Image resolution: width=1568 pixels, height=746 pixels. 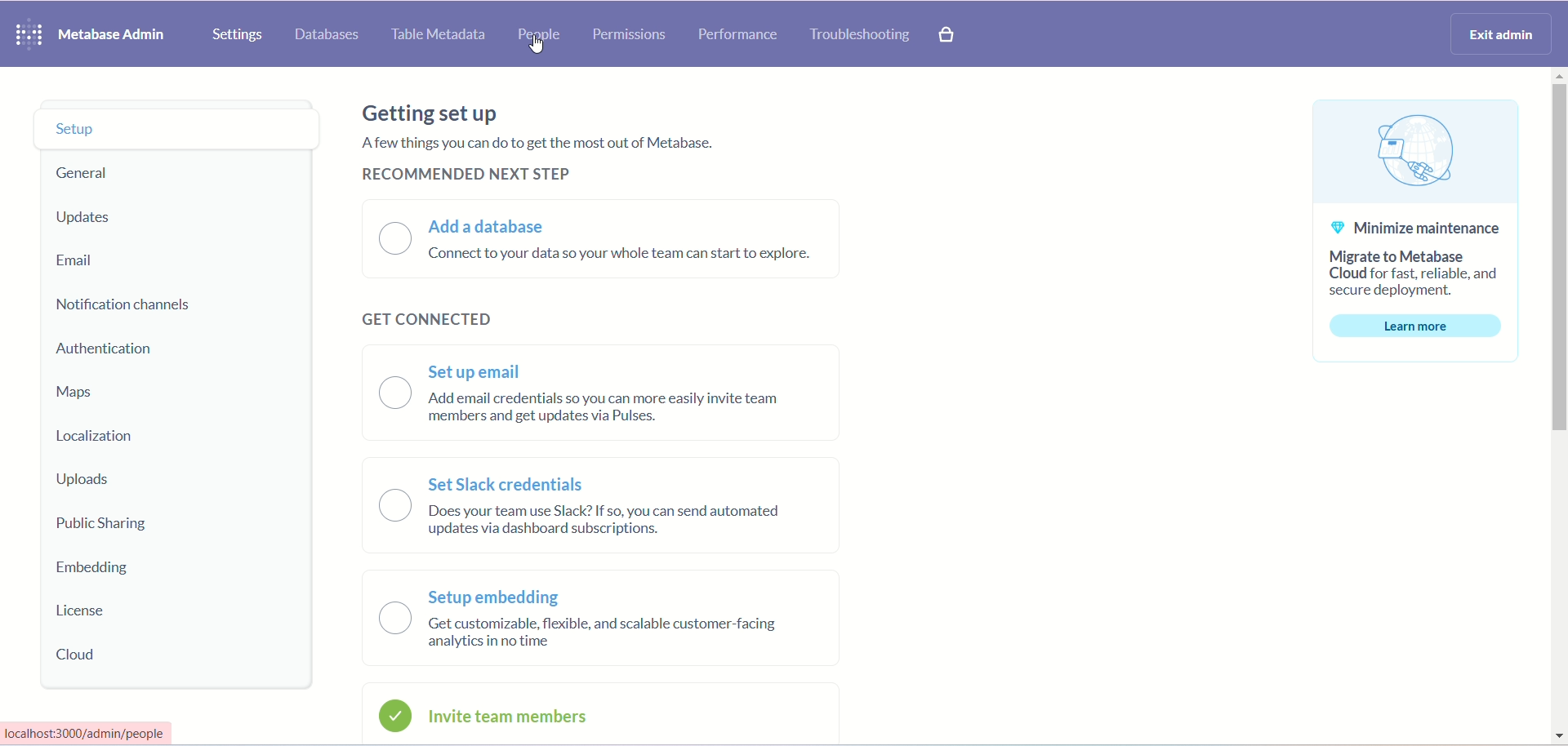 I want to click on invite members, so click(x=527, y=720).